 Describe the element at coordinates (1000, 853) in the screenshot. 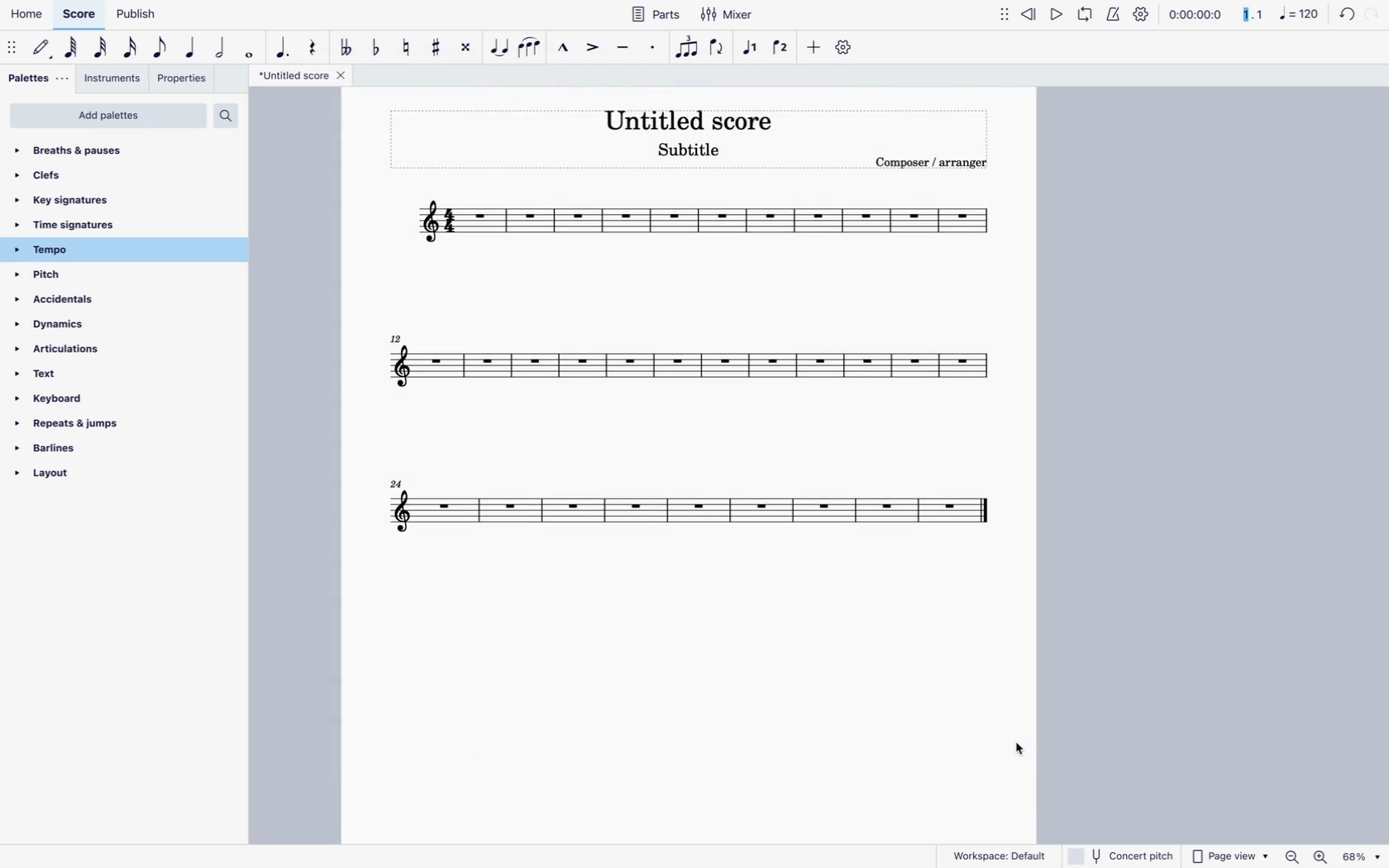

I see `workspace` at that location.